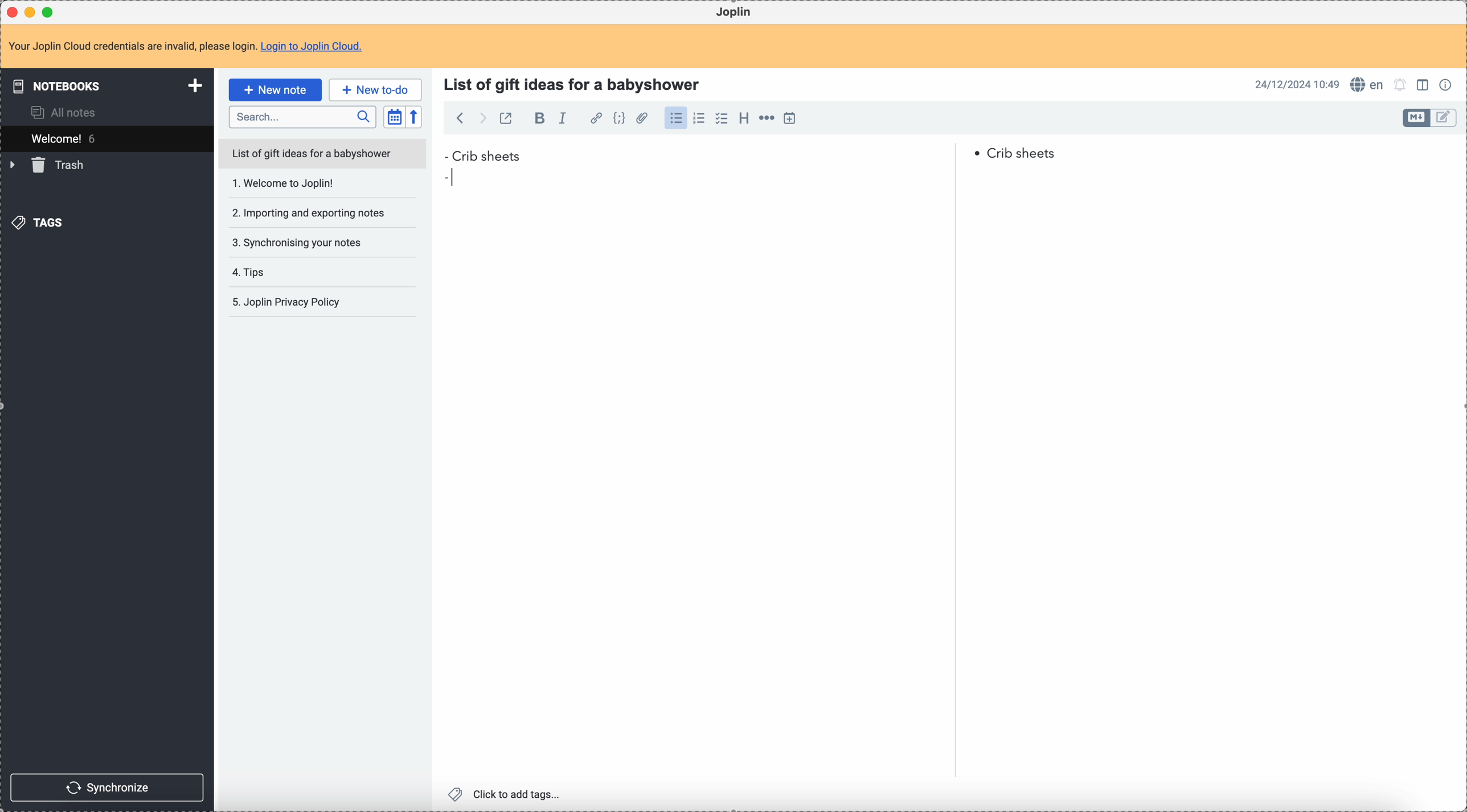 The width and height of the screenshot is (1467, 812). I want to click on joplin privacy policy, so click(290, 304).